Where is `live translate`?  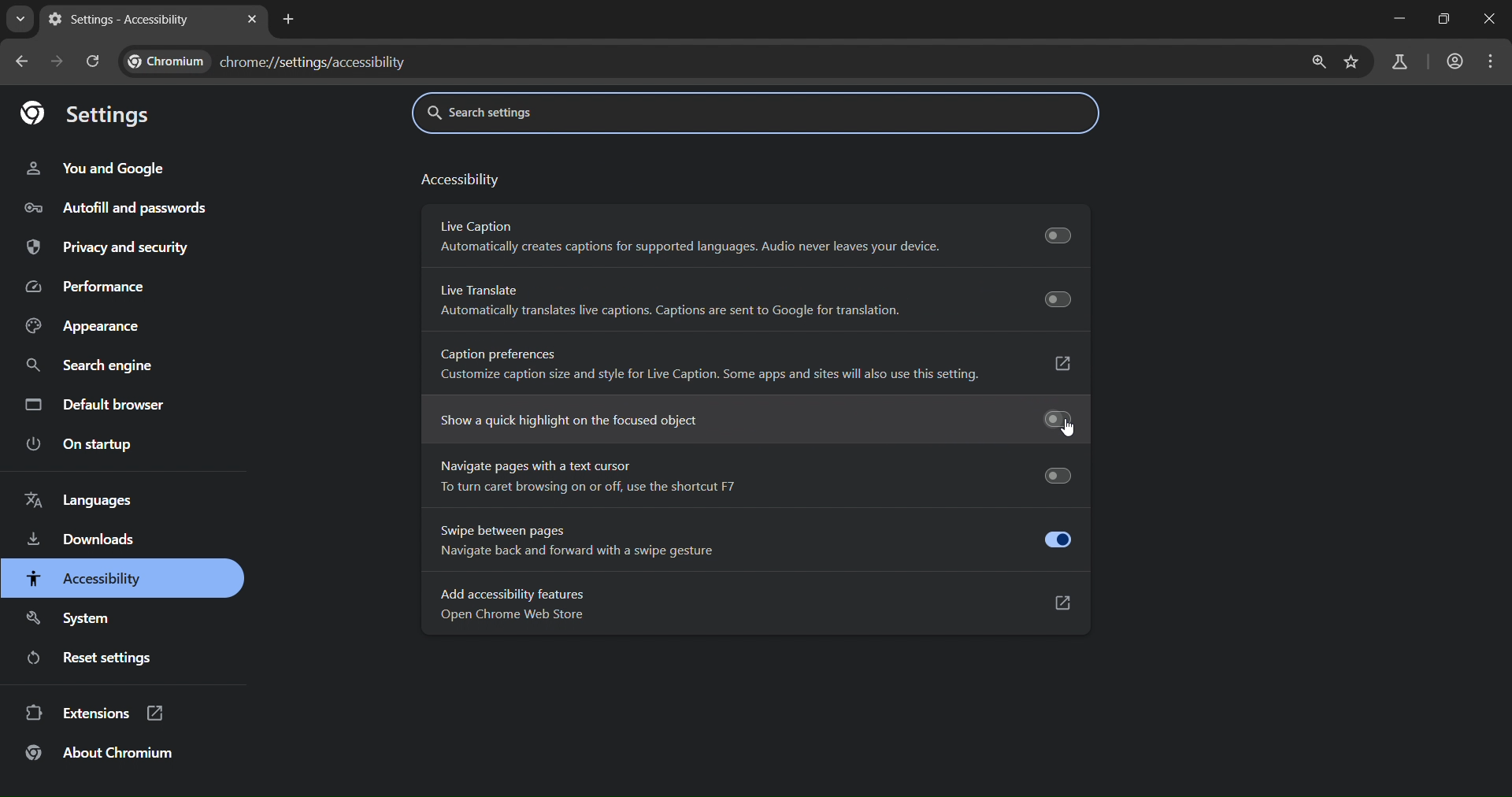
live translate is located at coordinates (677, 302).